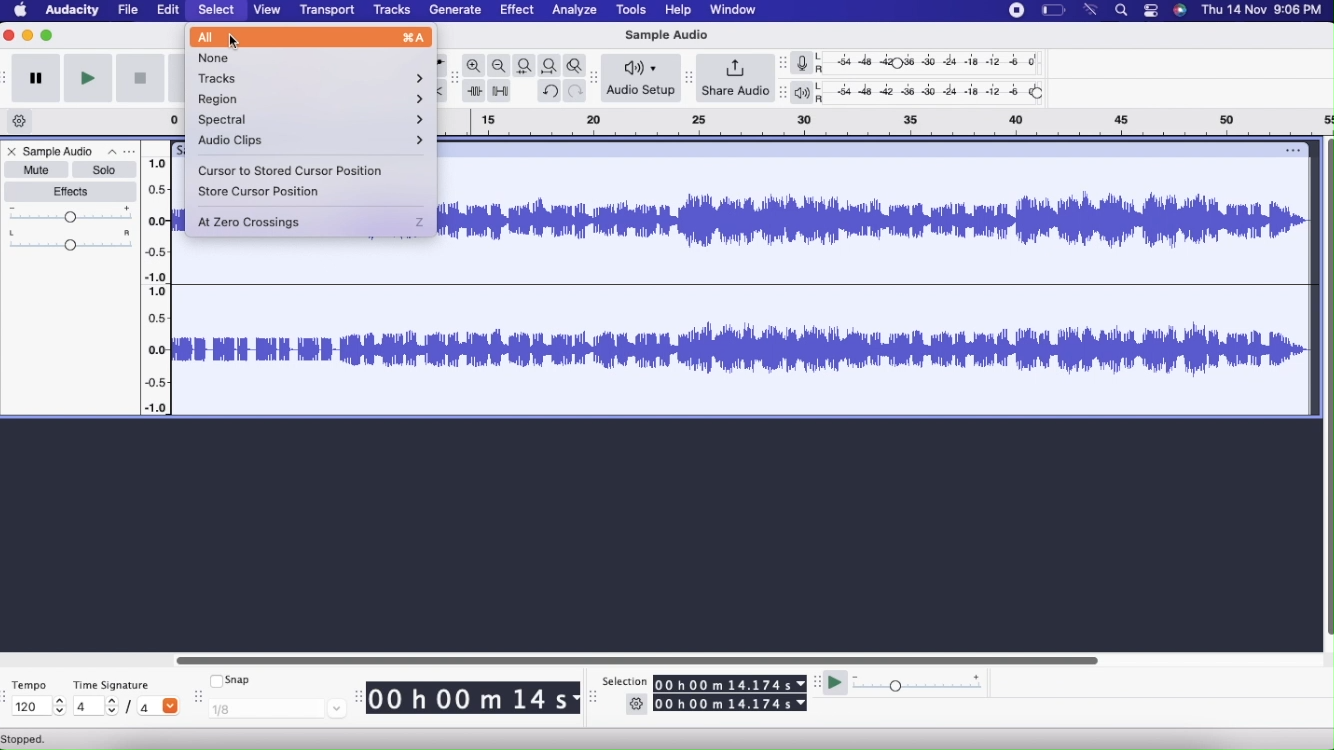  I want to click on Mute, so click(38, 171).